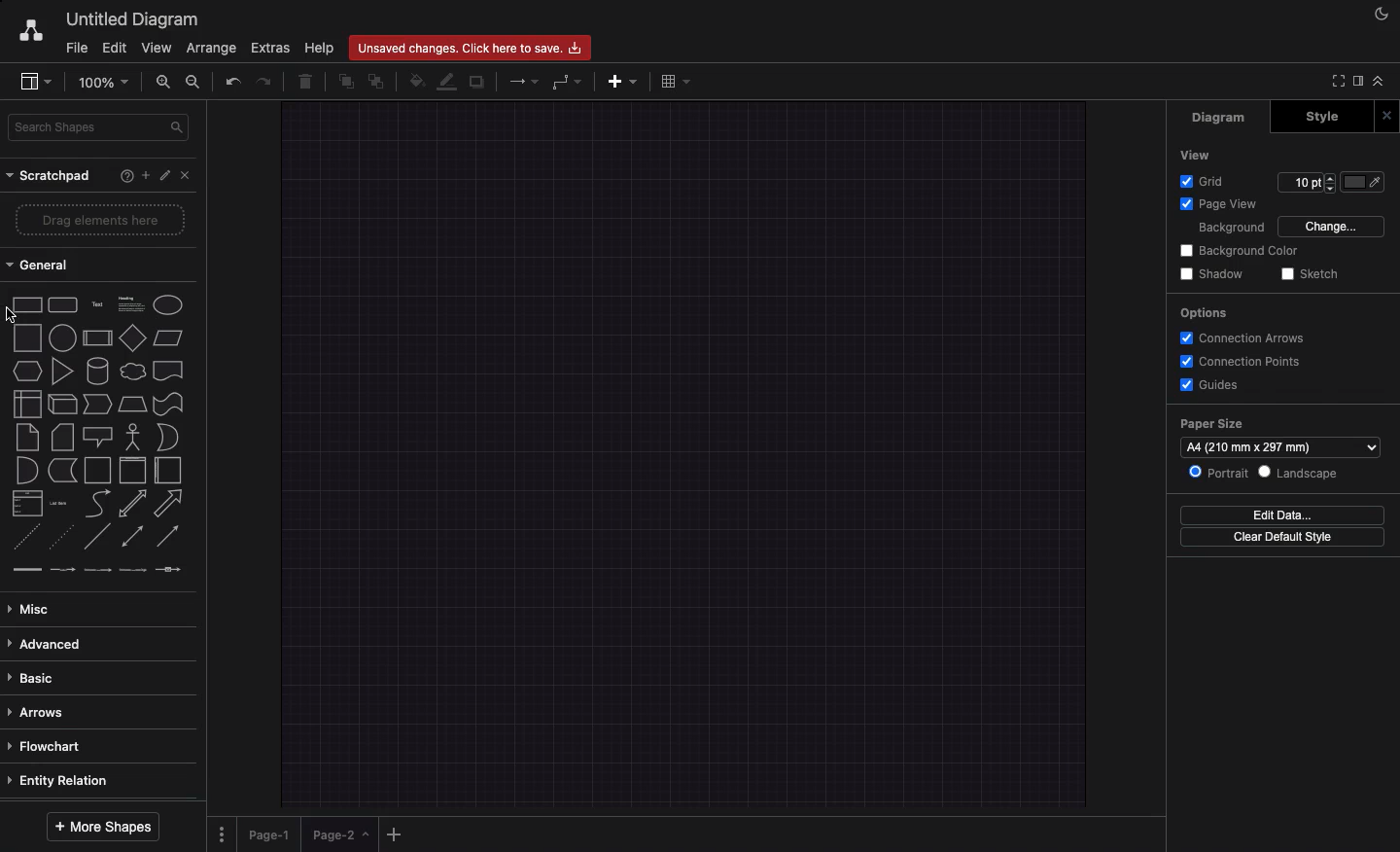  I want to click on Shadow, so click(1214, 274).